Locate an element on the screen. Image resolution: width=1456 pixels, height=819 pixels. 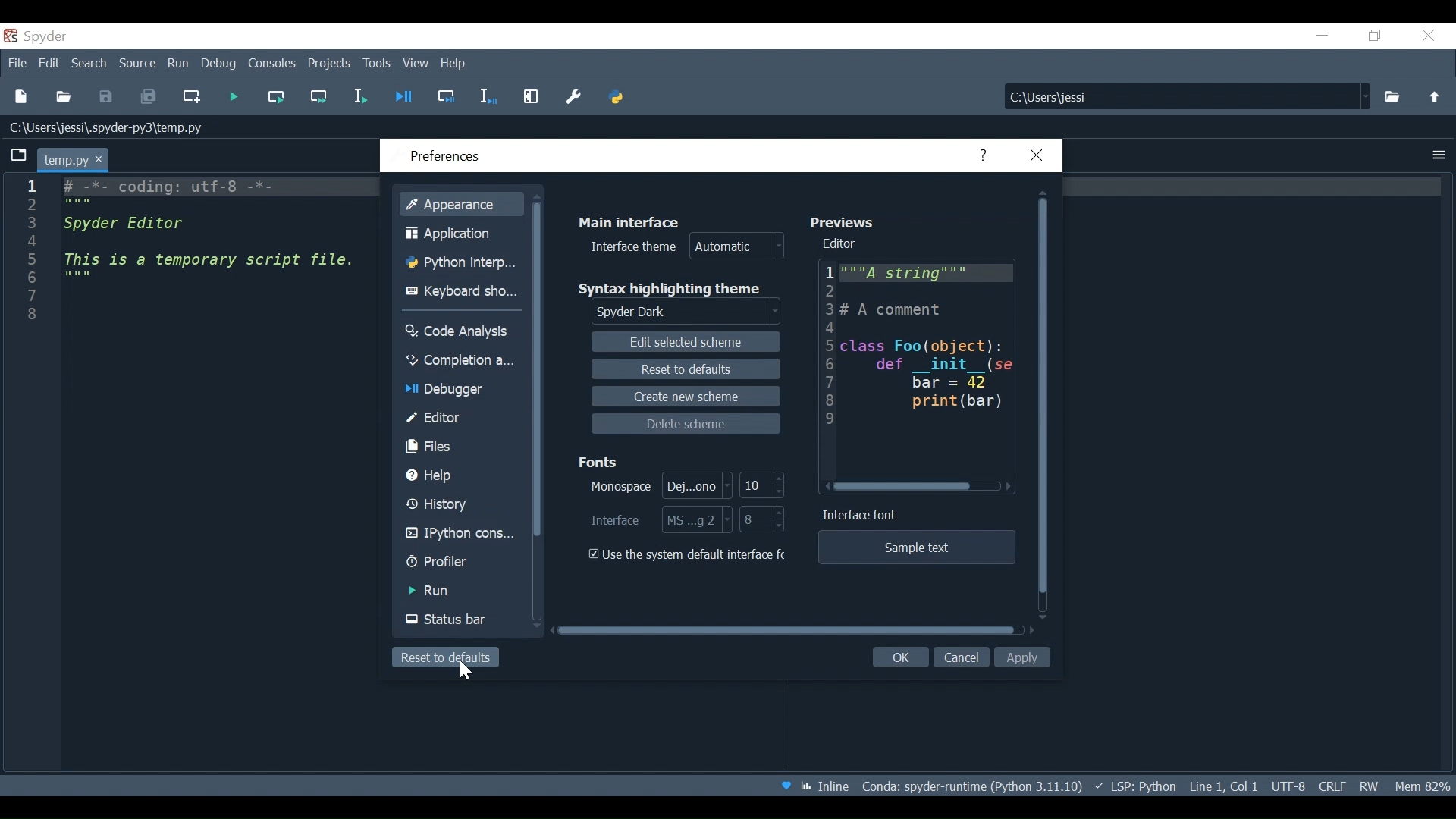
View is located at coordinates (417, 63).